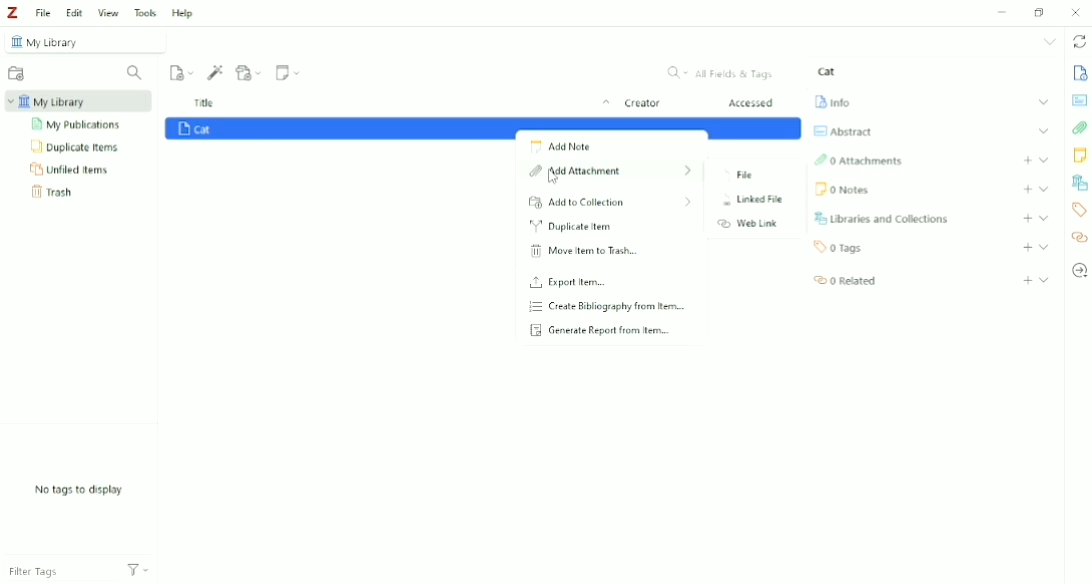  Describe the element at coordinates (56, 192) in the screenshot. I see `Trash` at that location.